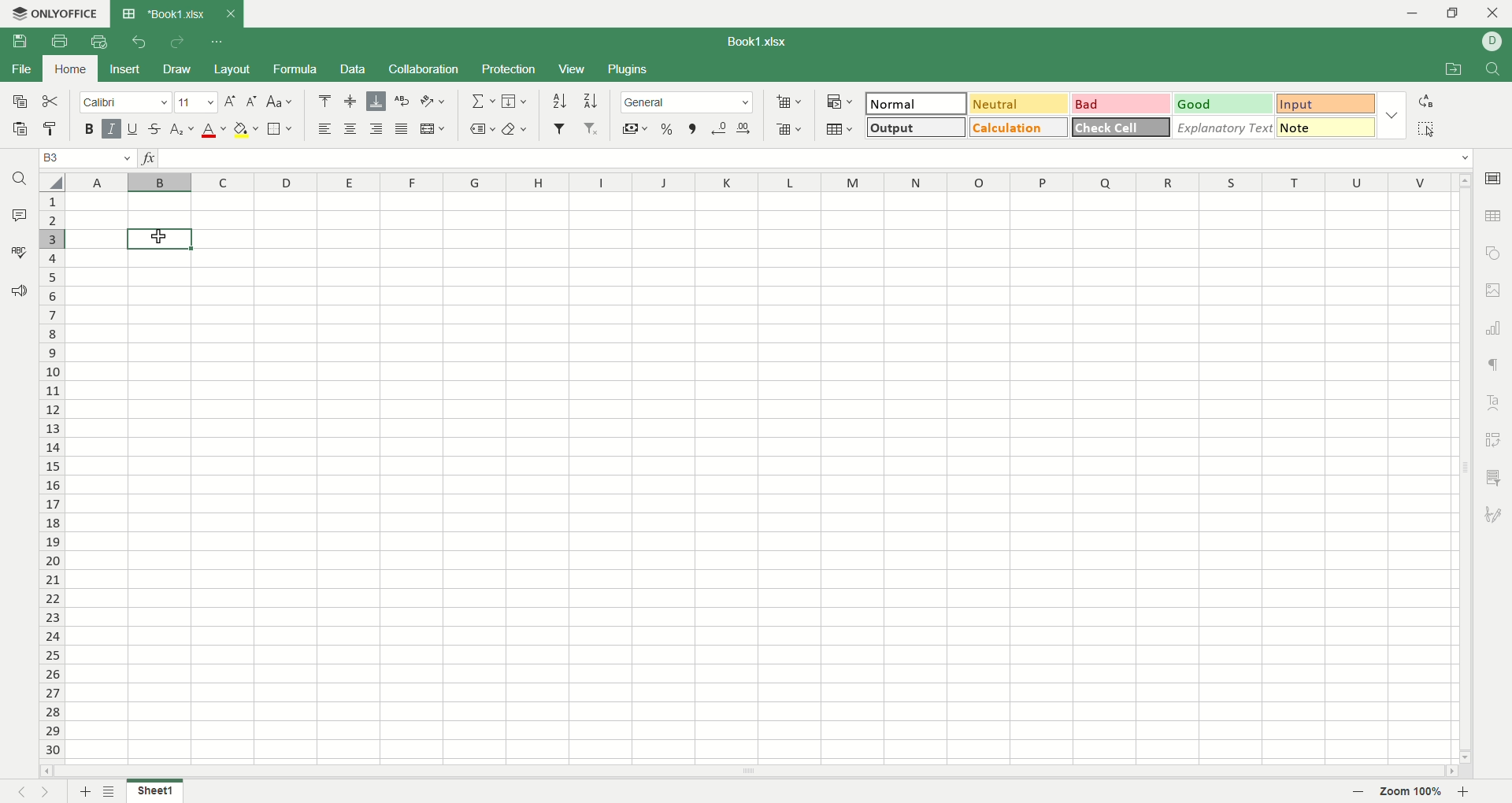 Image resolution: width=1512 pixels, height=803 pixels. I want to click on italic, so click(112, 128).